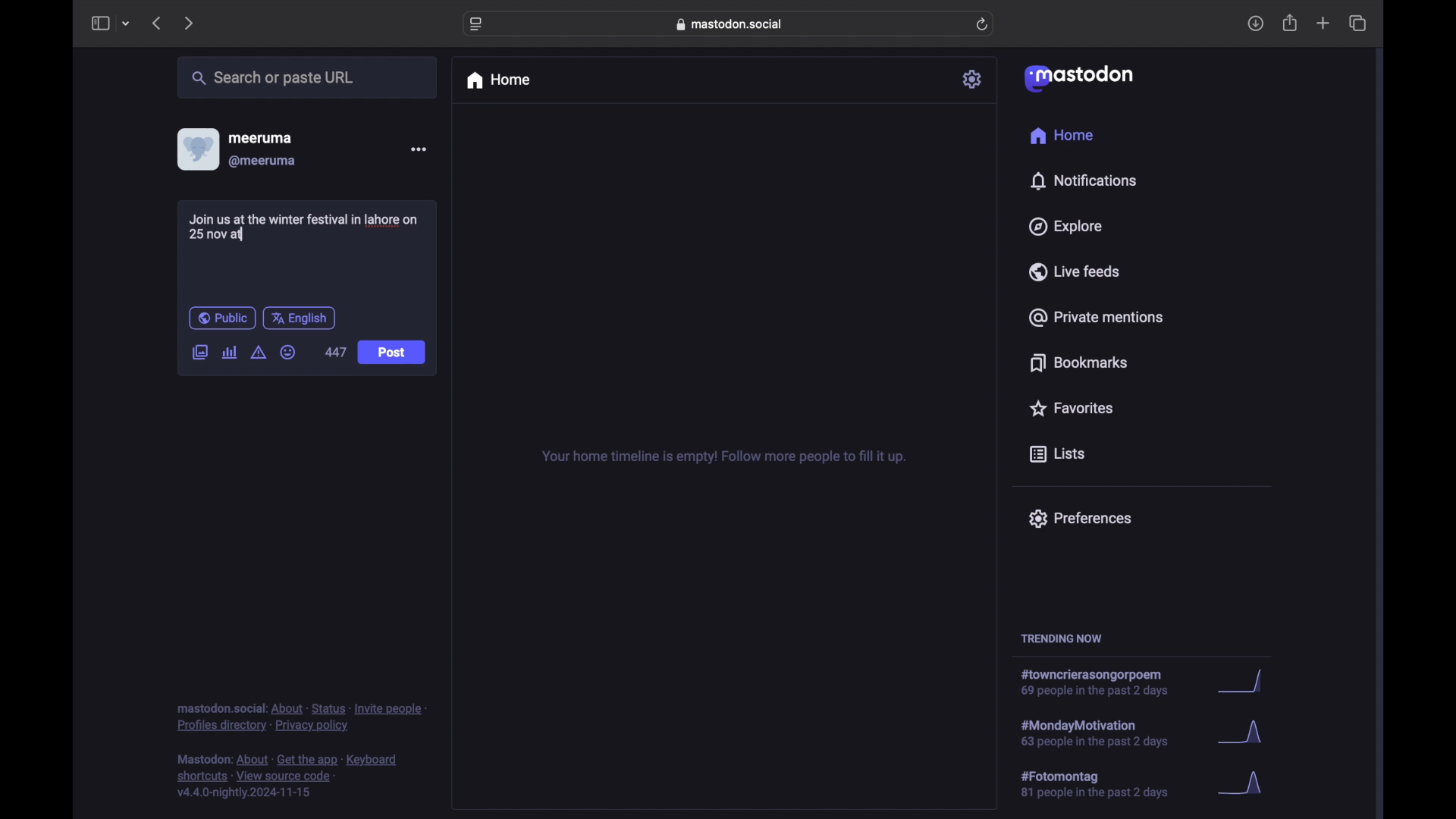 This screenshot has width=1456, height=819. I want to click on graph, so click(1244, 736).